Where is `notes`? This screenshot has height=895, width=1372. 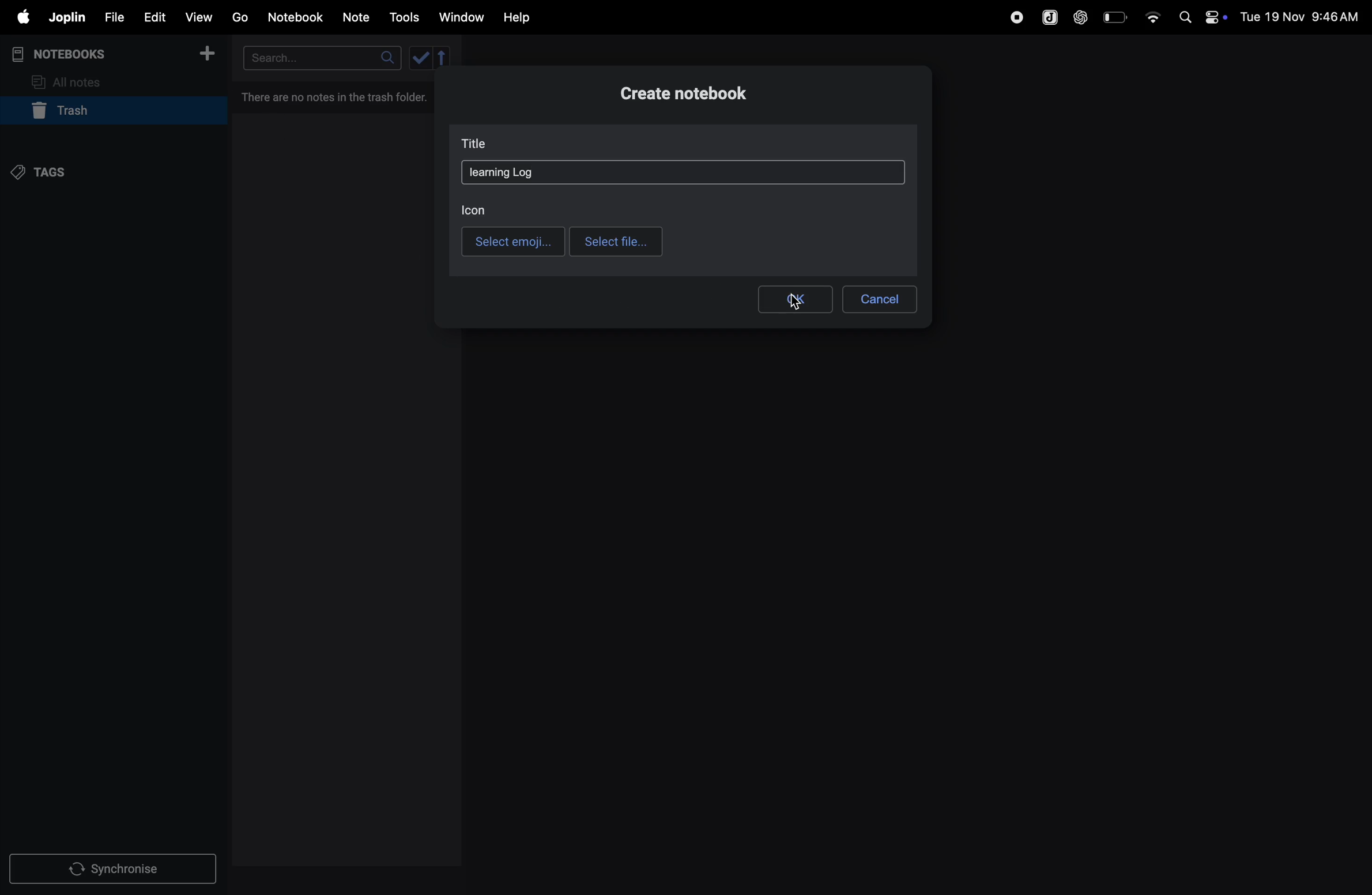 notes is located at coordinates (357, 18).